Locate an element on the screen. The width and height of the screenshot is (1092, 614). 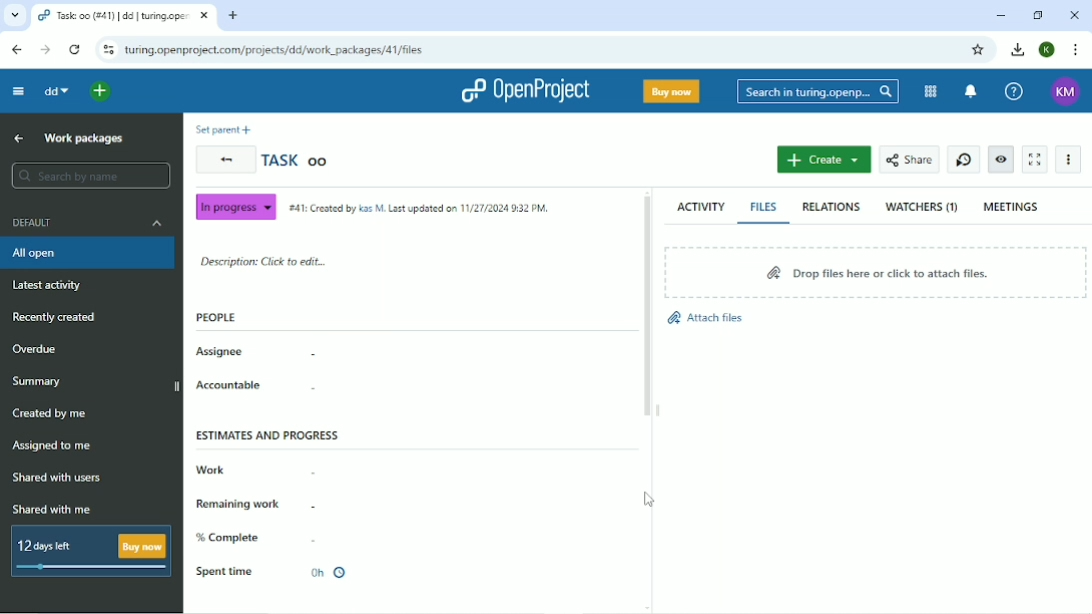
Overdue is located at coordinates (39, 348).